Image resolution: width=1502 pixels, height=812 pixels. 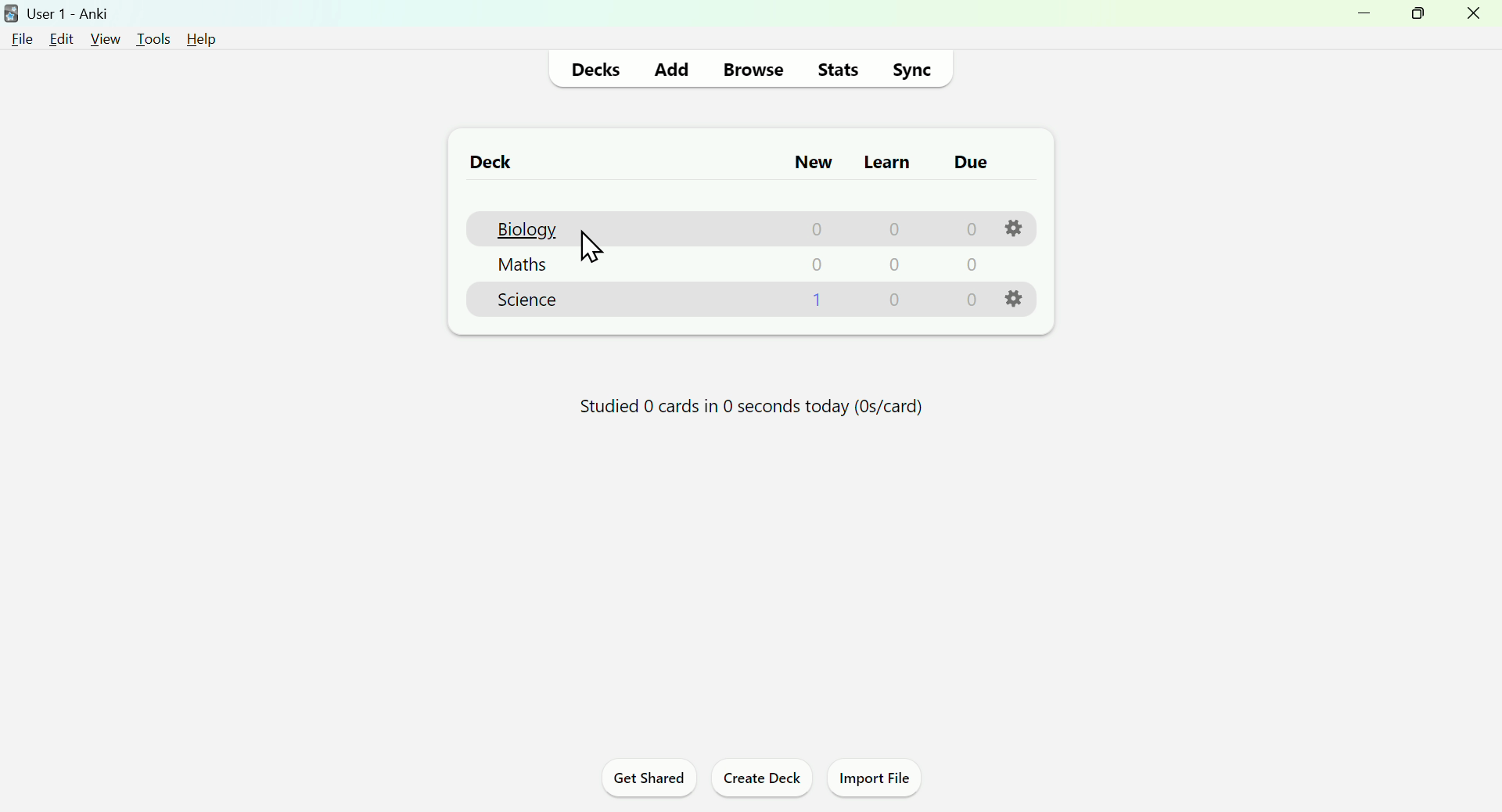 What do you see at coordinates (968, 266) in the screenshot?
I see `0` at bounding box center [968, 266].